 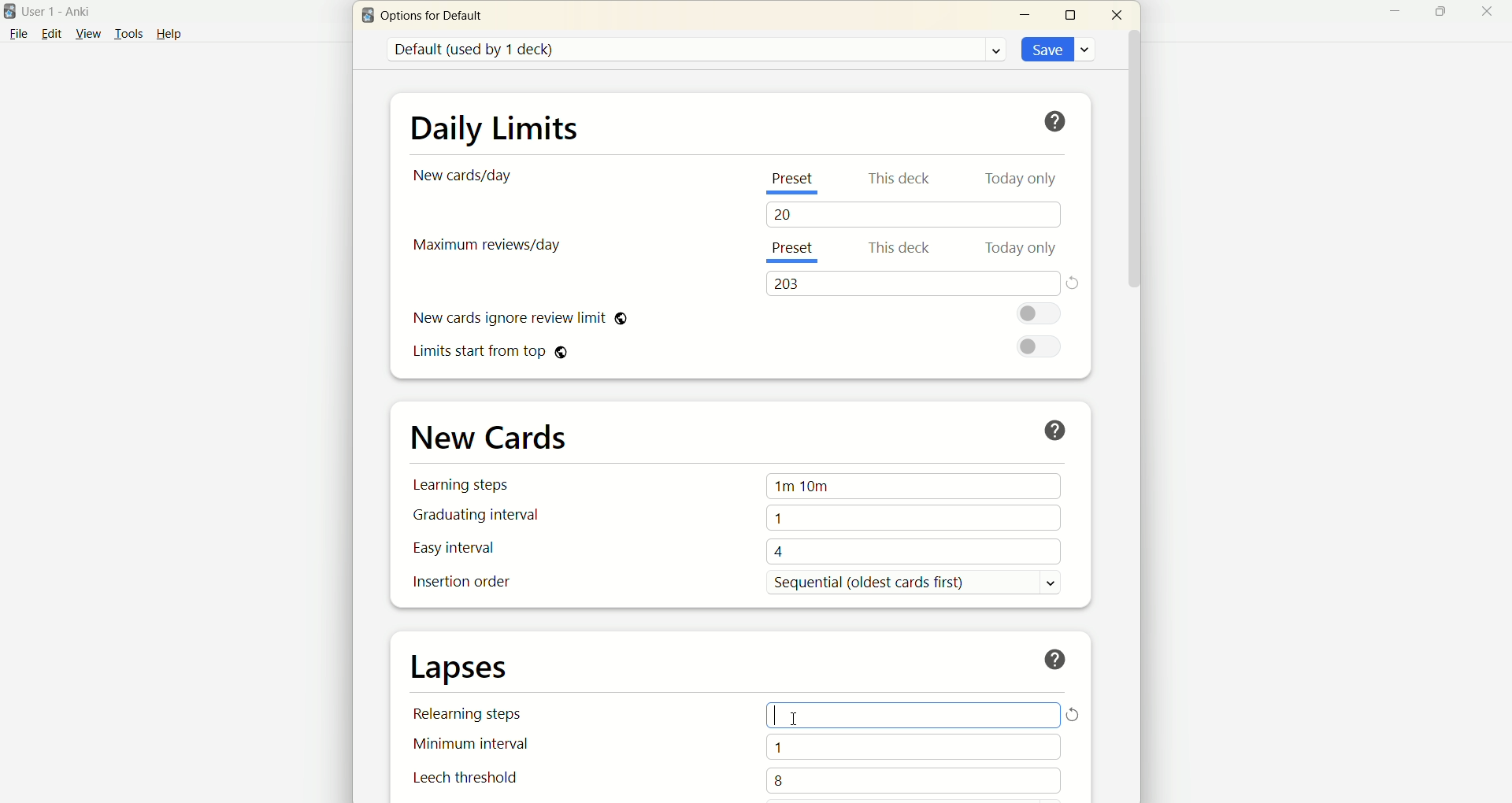 I want to click on this deck, so click(x=902, y=250).